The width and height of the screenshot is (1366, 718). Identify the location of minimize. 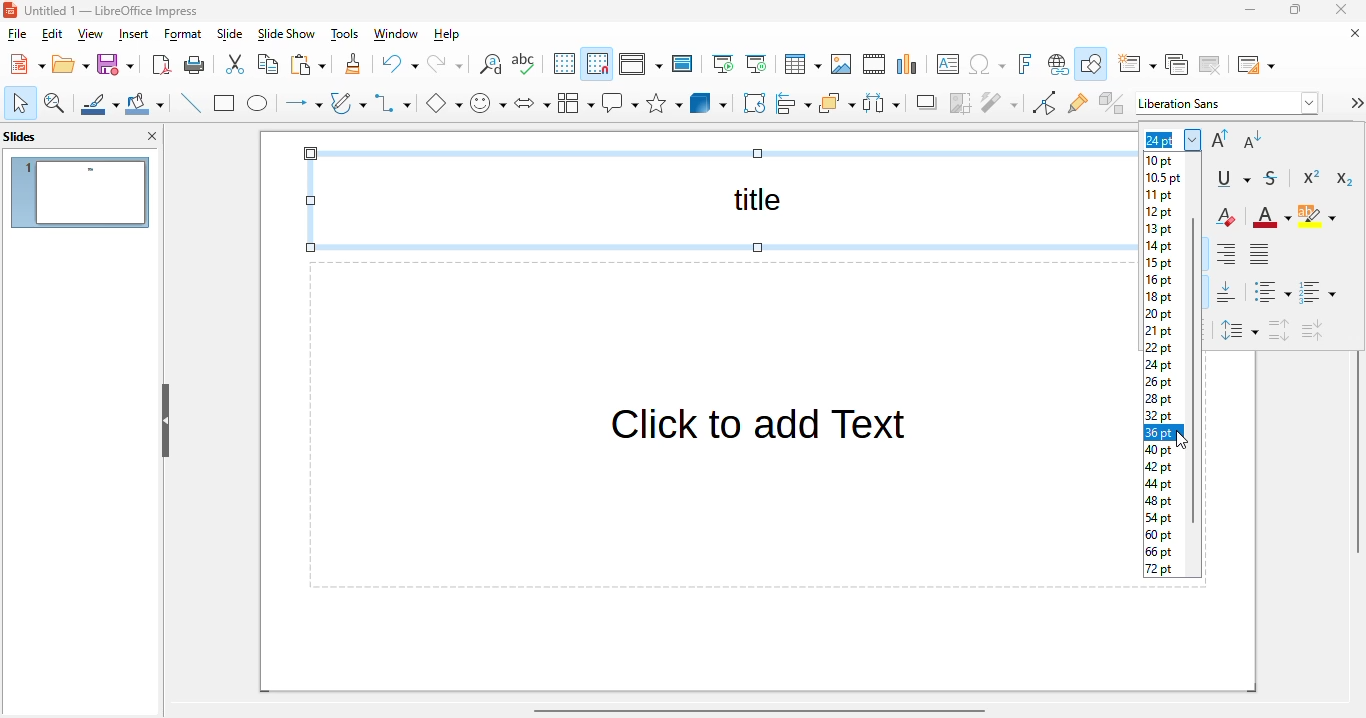
(1252, 10).